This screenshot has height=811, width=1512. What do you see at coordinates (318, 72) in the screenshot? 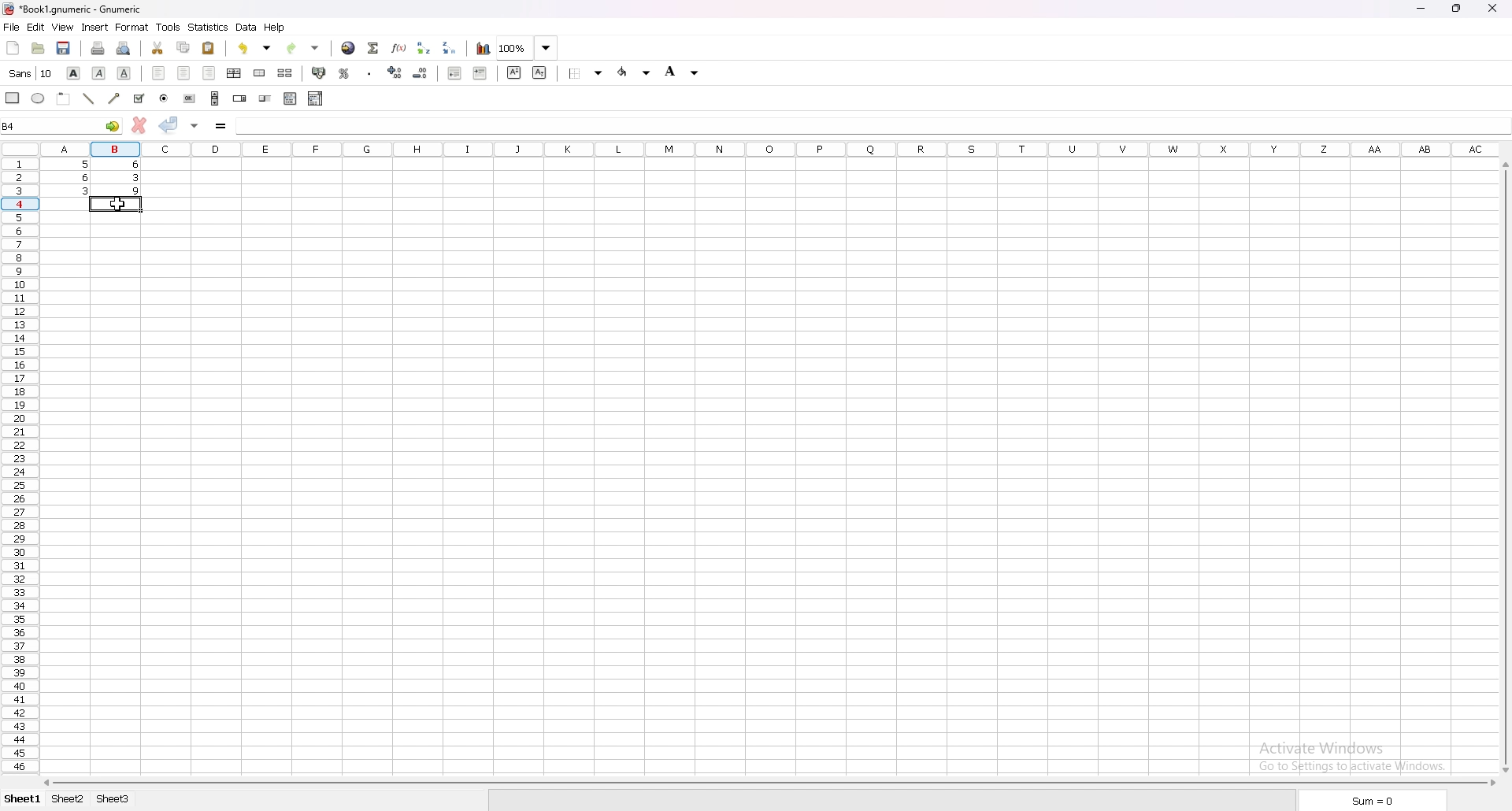
I see `accounting` at bounding box center [318, 72].